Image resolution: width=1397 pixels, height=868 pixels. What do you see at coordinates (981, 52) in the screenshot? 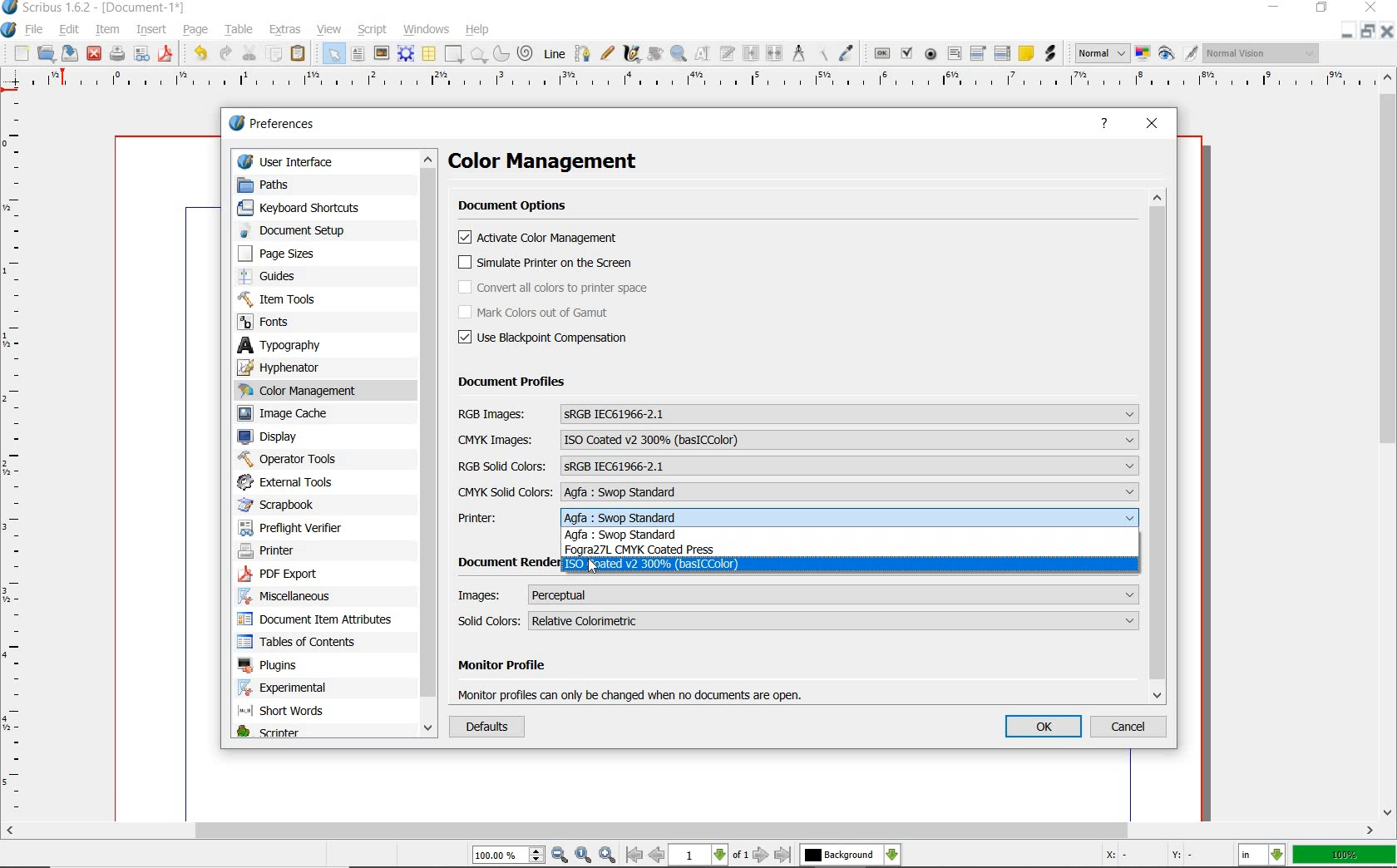
I see `pdf combo box` at bounding box center [981, 52].